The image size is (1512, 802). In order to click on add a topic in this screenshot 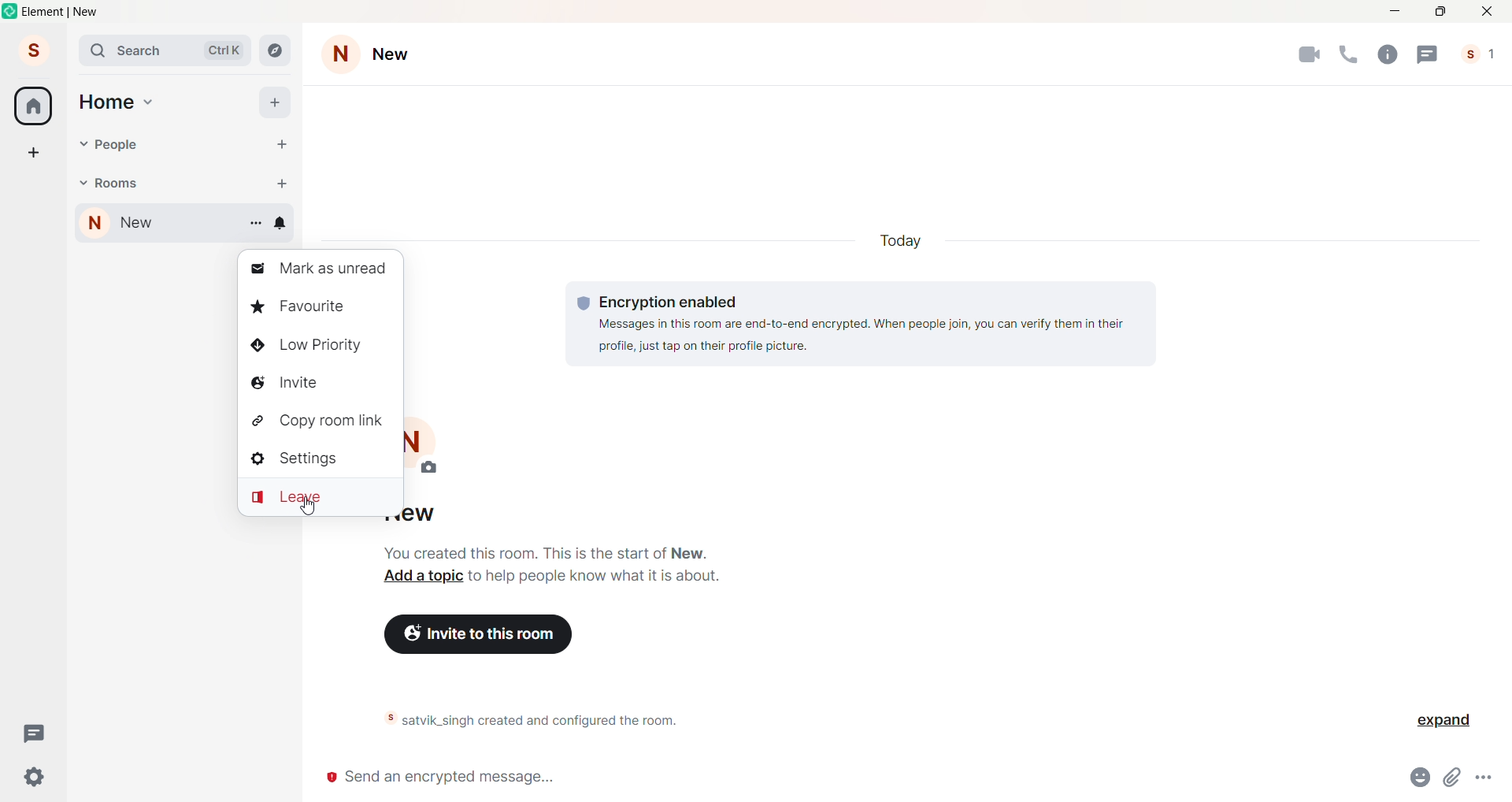, I will do `click(422, 577)`.